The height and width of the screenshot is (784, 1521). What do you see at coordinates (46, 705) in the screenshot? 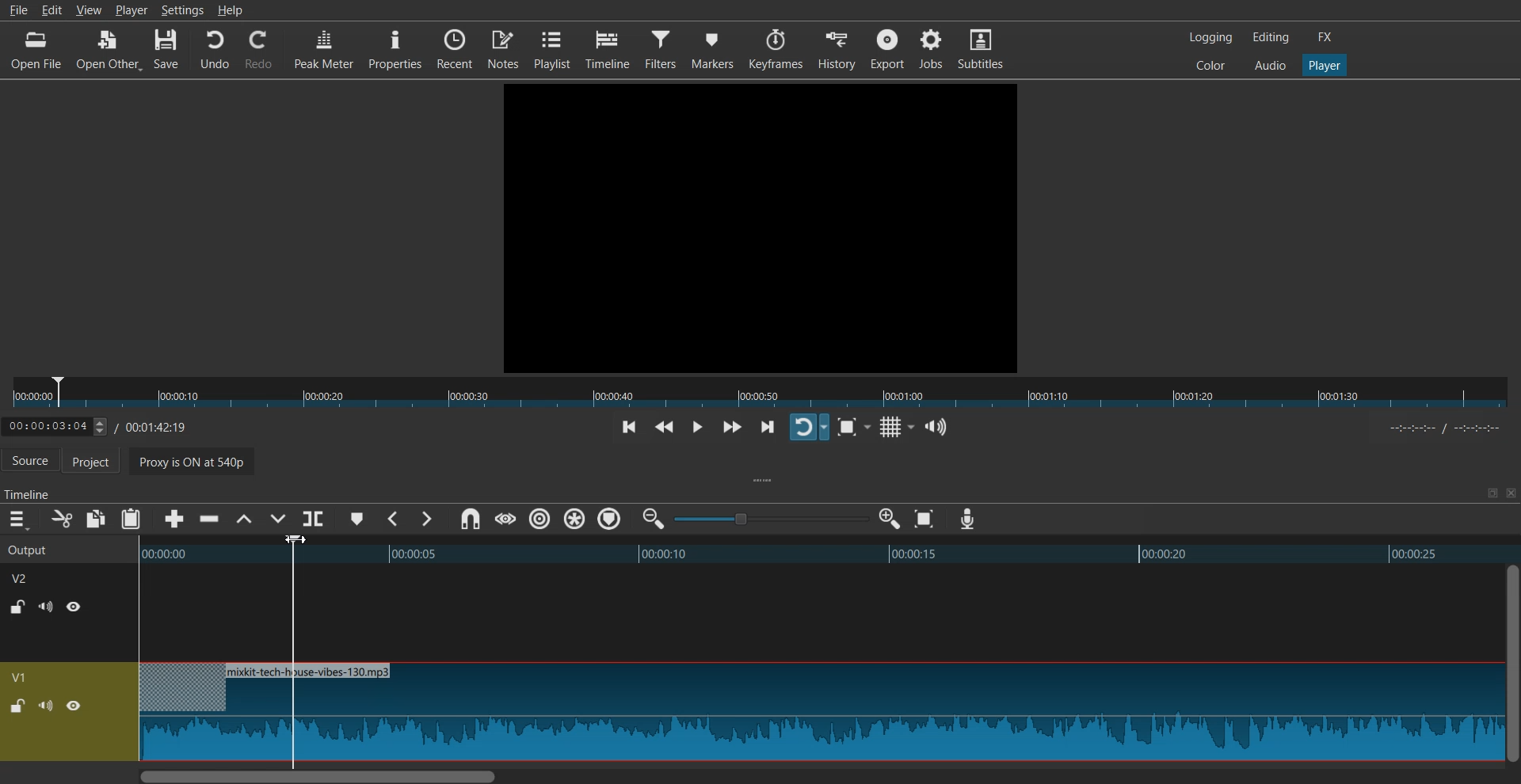
I see `Mute` at bounding box center [46, 705].